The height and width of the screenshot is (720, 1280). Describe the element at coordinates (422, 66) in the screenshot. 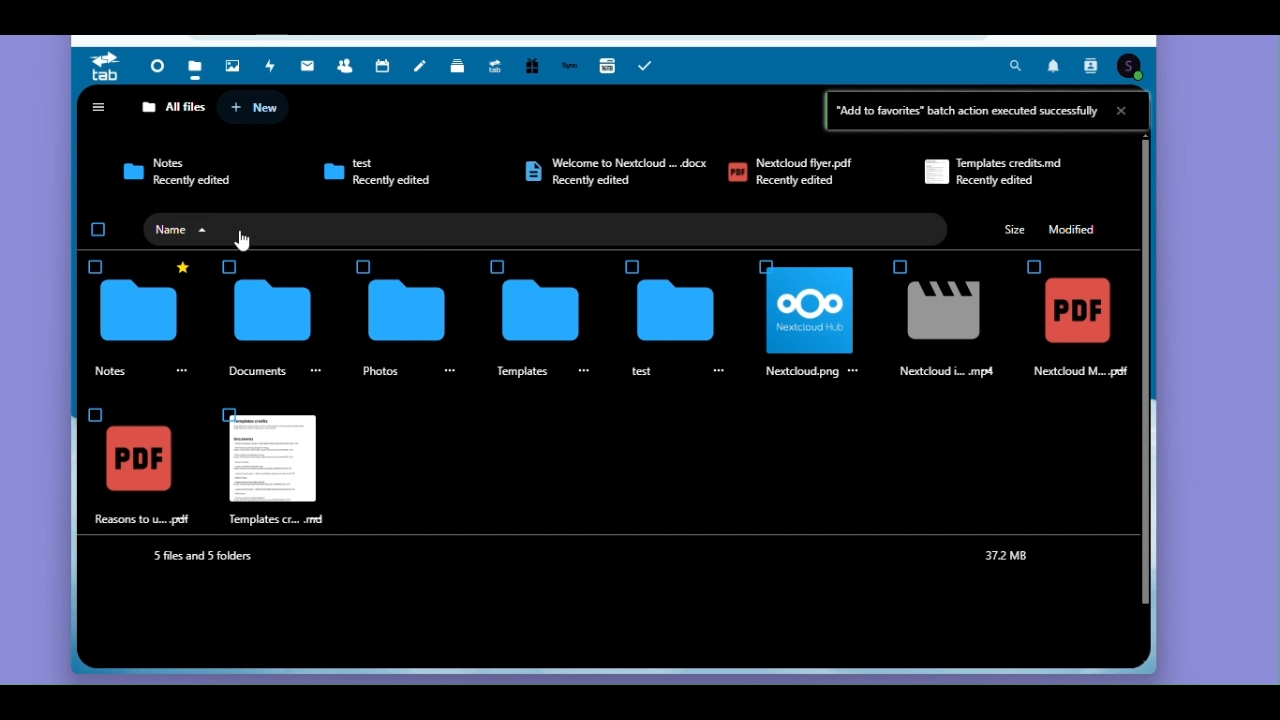

I see `Notes` at that location.